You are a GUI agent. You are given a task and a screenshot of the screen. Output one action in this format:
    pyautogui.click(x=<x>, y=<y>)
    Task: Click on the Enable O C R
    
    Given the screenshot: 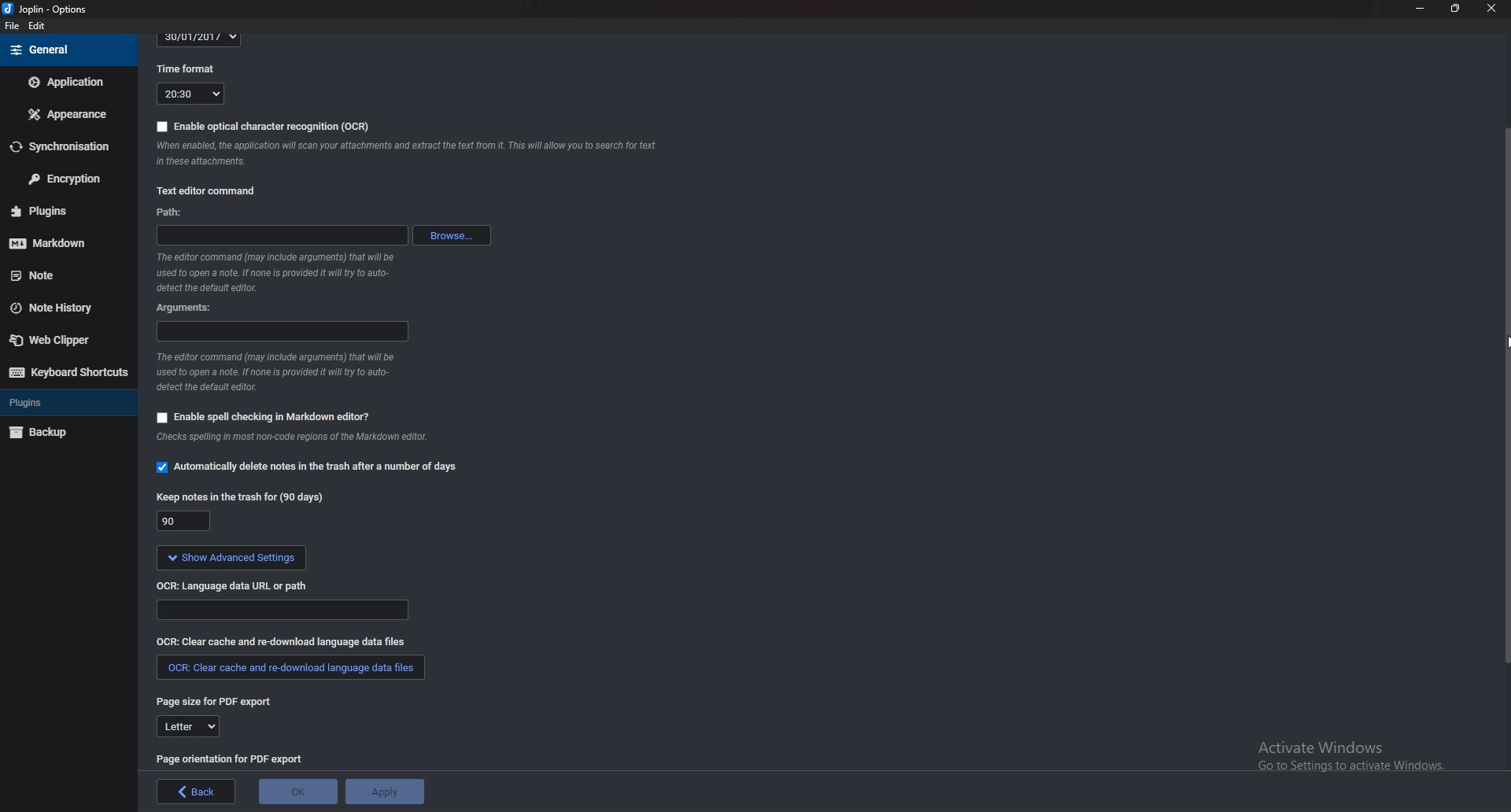 What is the action you would take?
    pyautogui.click(x=264, y=127)
    